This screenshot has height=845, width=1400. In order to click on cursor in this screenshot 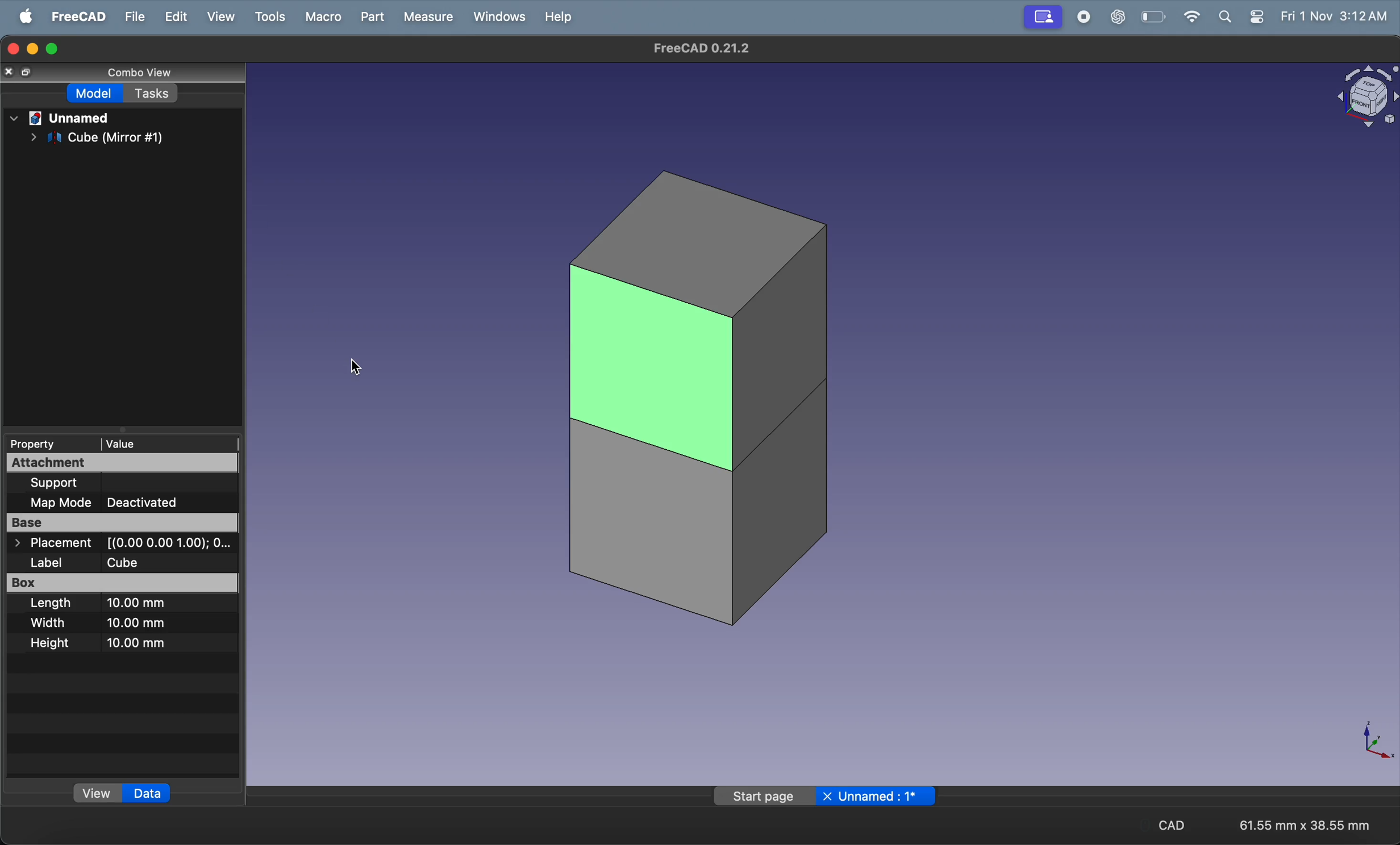, I will do `click(359, 365)`.